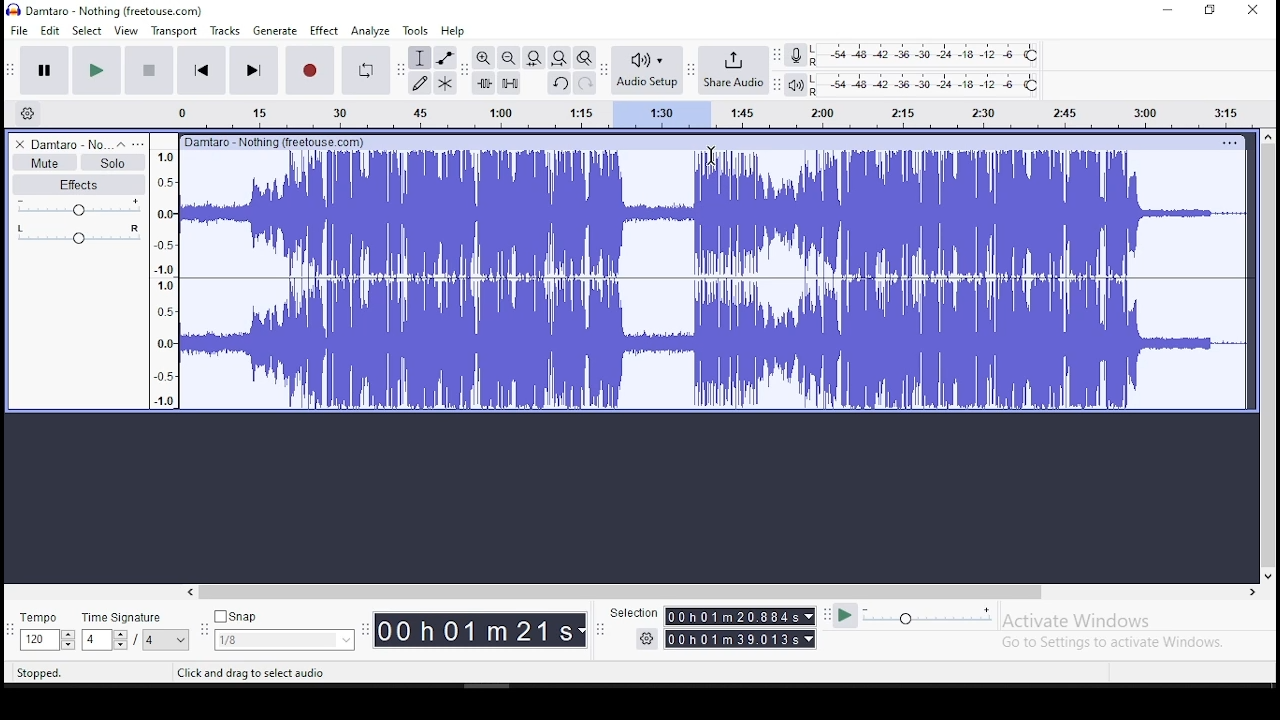  What do you see at coordinates (733, 639) in the screenshot?
I see `00h01m39013s` at bounding box center [733, 639].